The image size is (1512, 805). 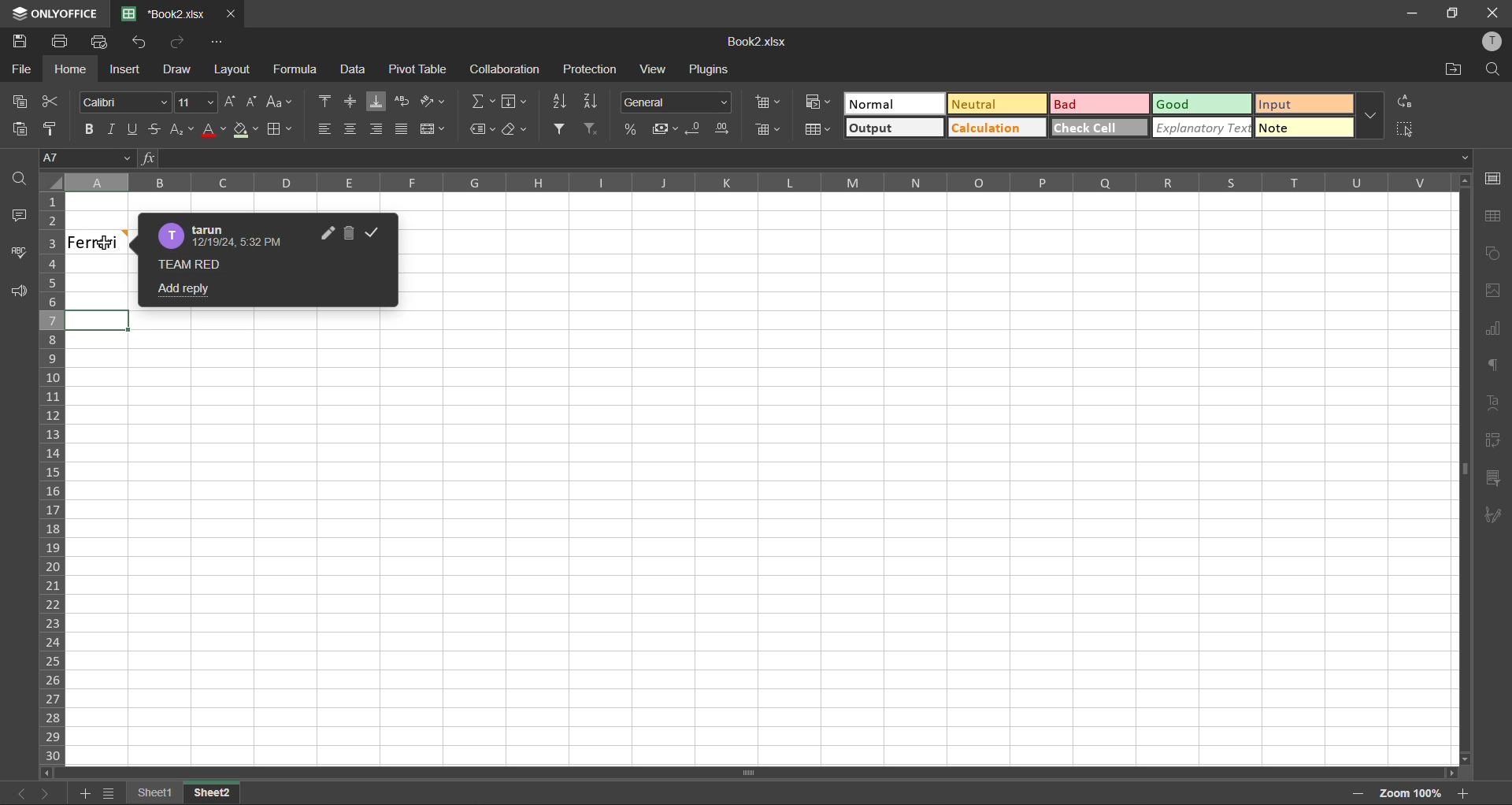 I want to click on column names, so click(x=759, y=184).